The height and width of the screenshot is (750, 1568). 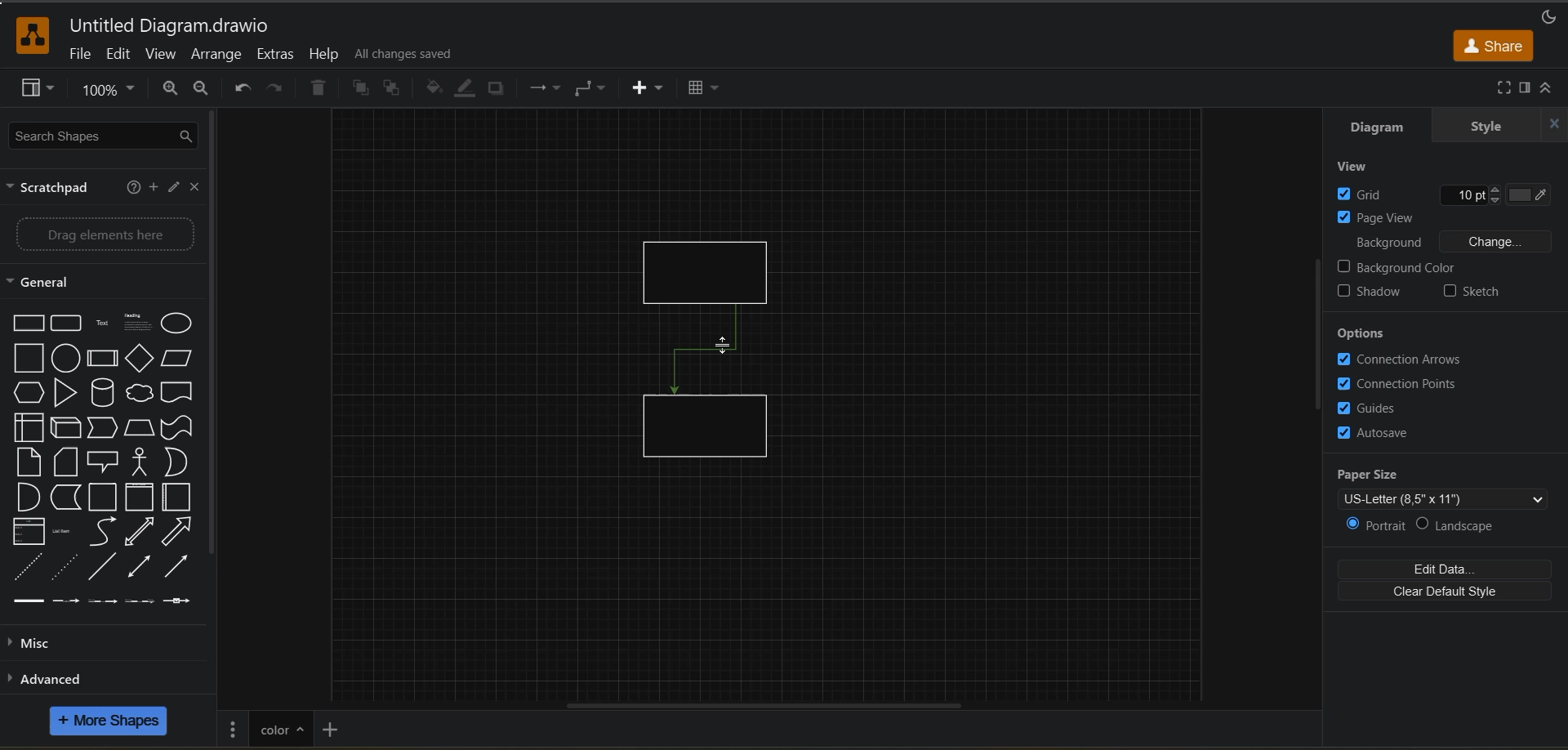 What do you see at coordinates (1550, 125) in the screenshot?
I see `close` at bounding box center [1550, 125].